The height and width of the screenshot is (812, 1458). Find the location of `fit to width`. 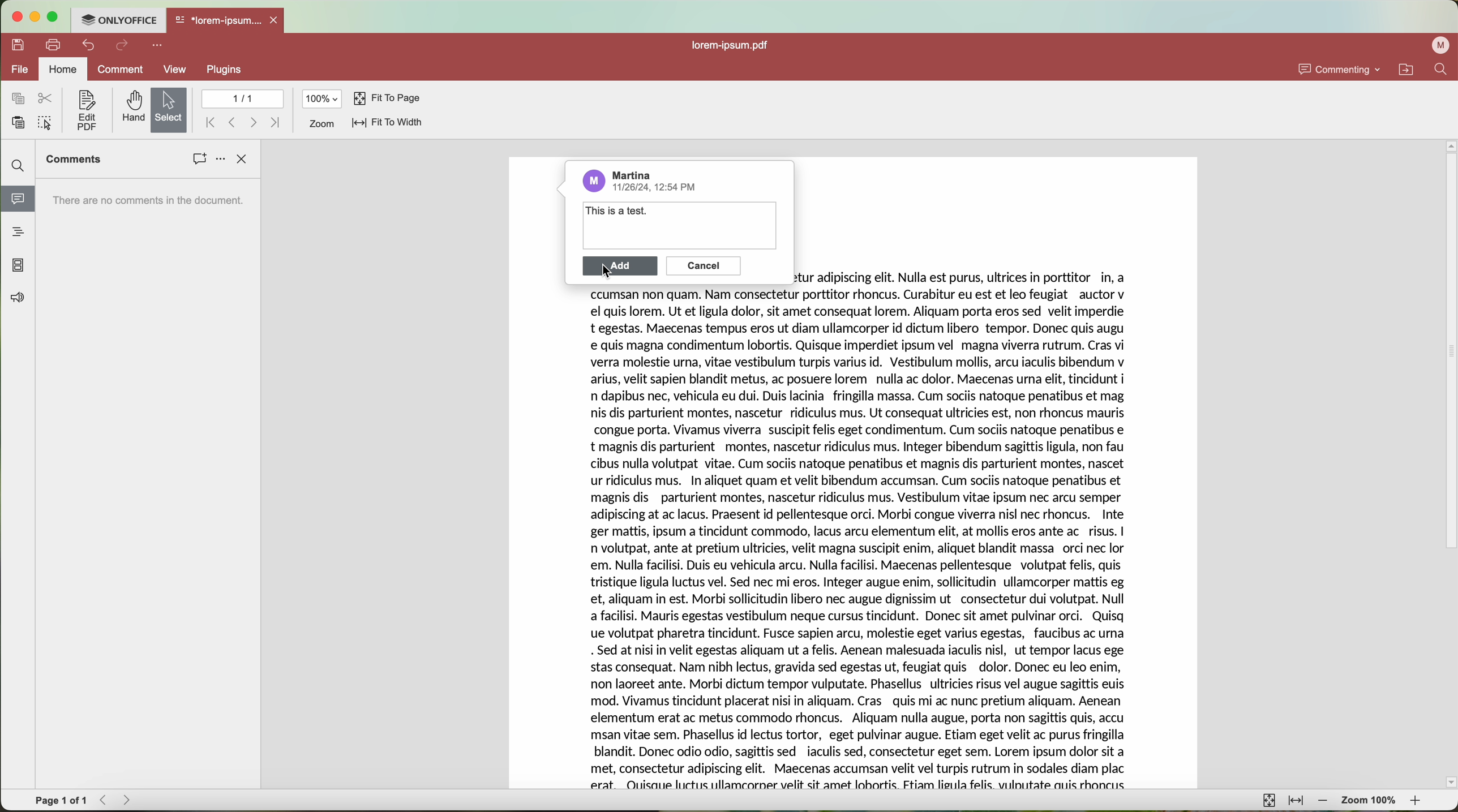

fit to width is located at coordinates (1297, 803).